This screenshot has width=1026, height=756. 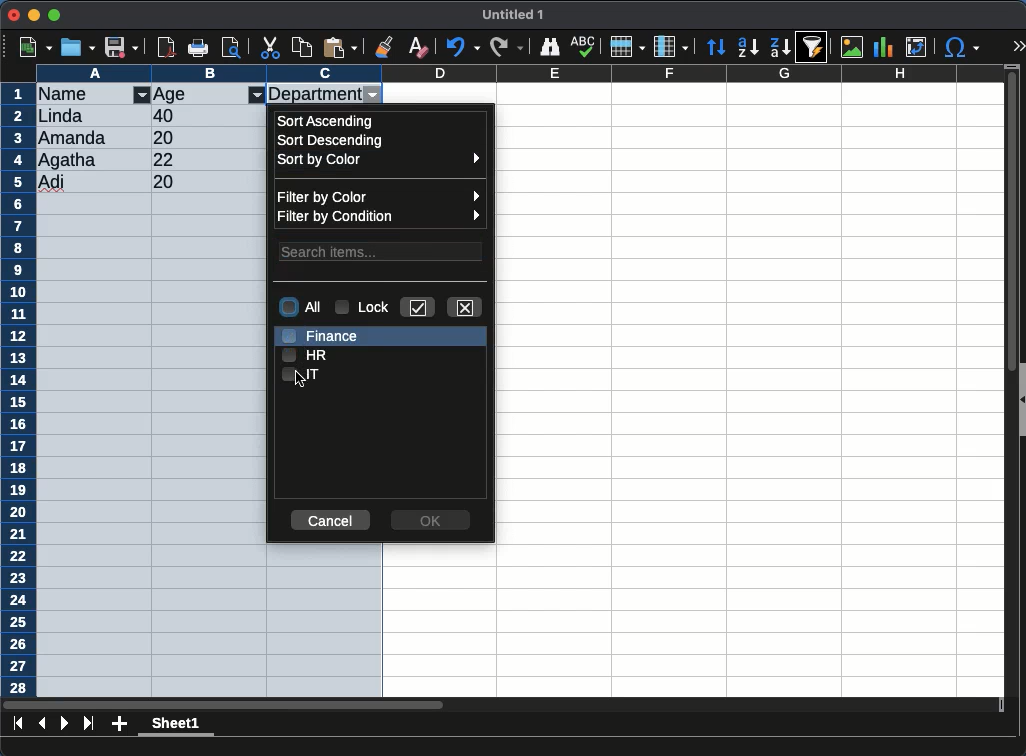 What do you see at coordinates (35, 14) in the screenshot?
I see `minimize` at bounding box center [35, 14].